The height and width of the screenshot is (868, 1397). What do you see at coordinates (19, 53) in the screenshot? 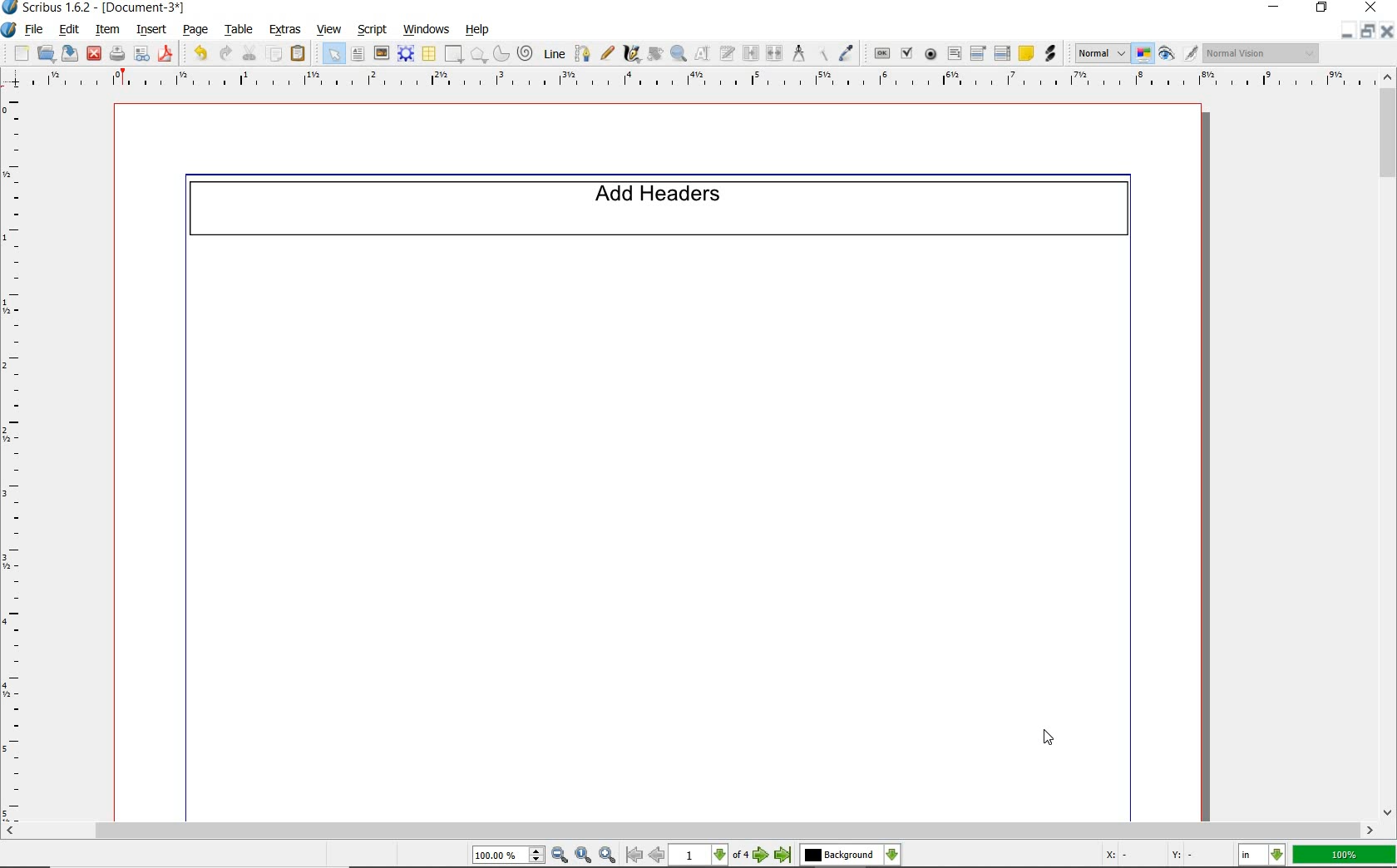
I see `new` at bounding box center [19, 53].